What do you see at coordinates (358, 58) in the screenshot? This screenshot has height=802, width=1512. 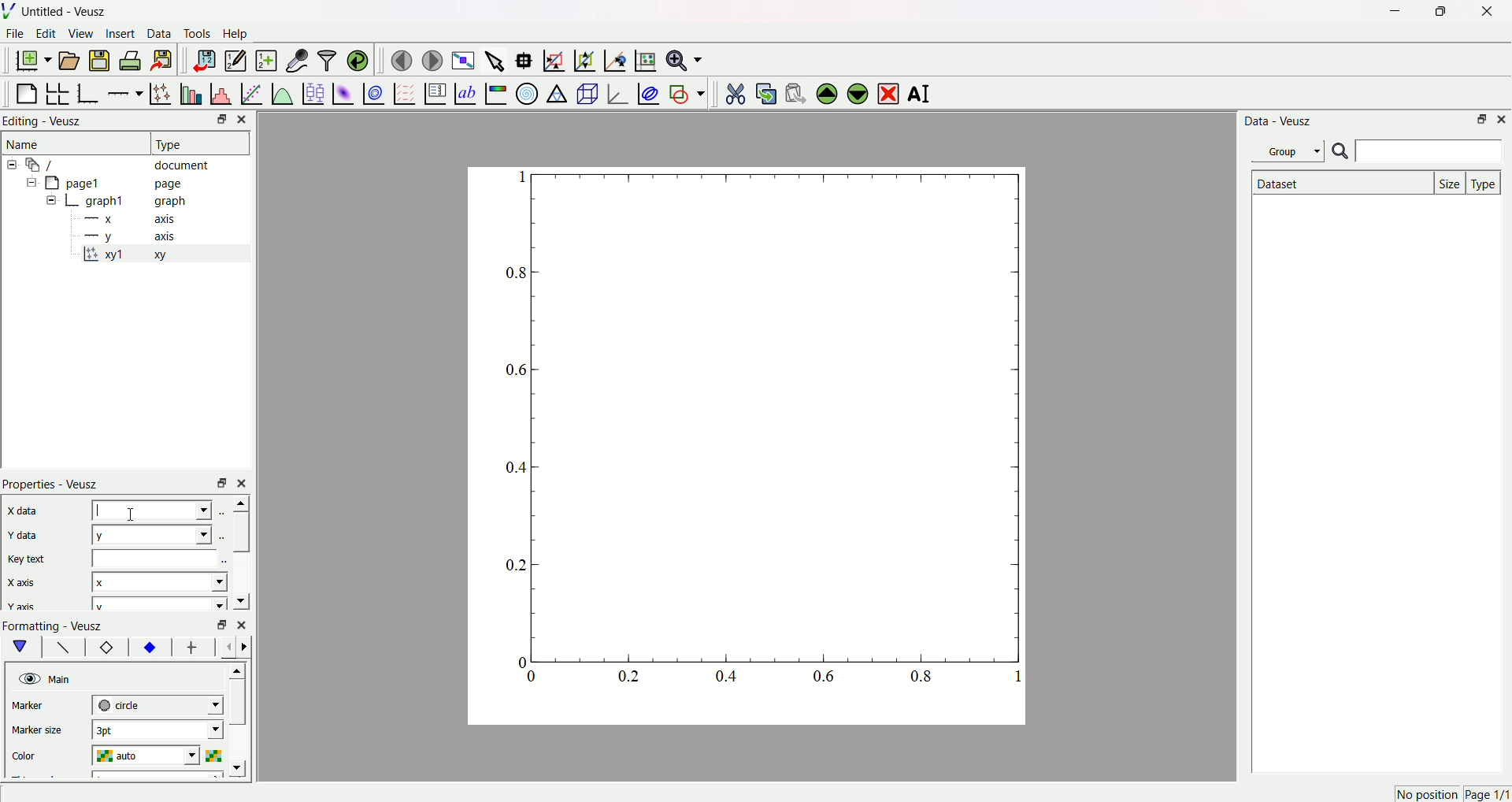 I see `reload linked datasets` at bounding box center [358, 58].